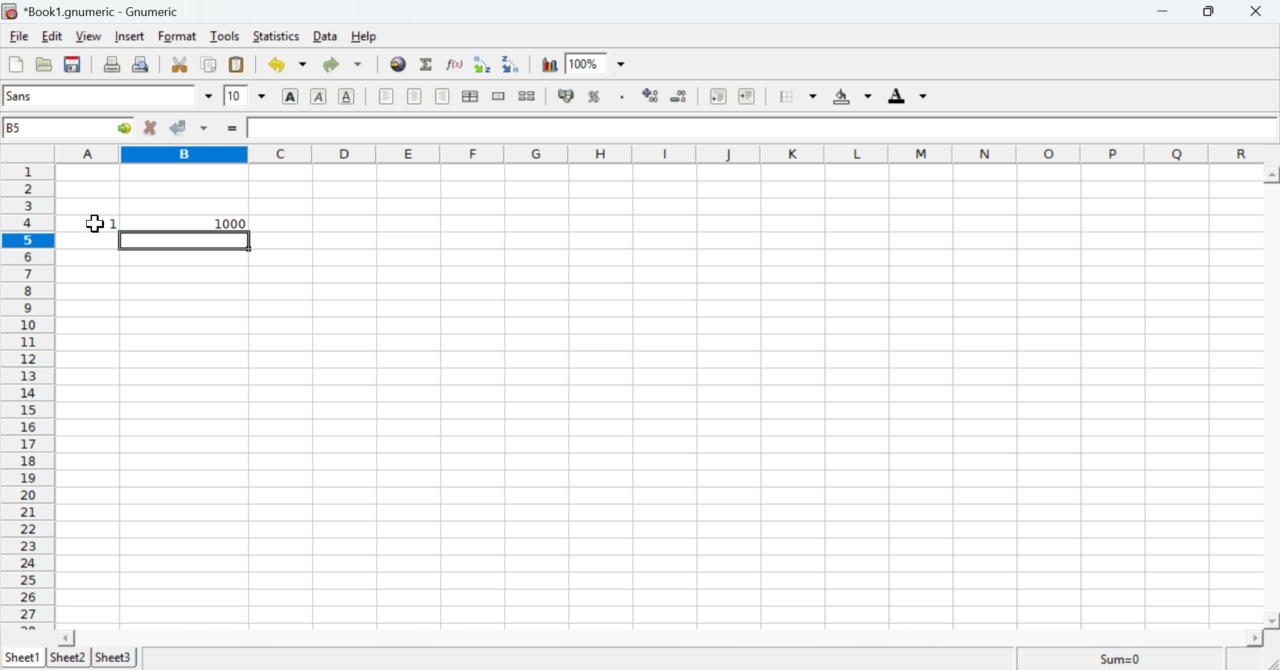 The height and width of the screenshot is (670, 1280). I want to click on Sort into ascending, so click(484, 65).